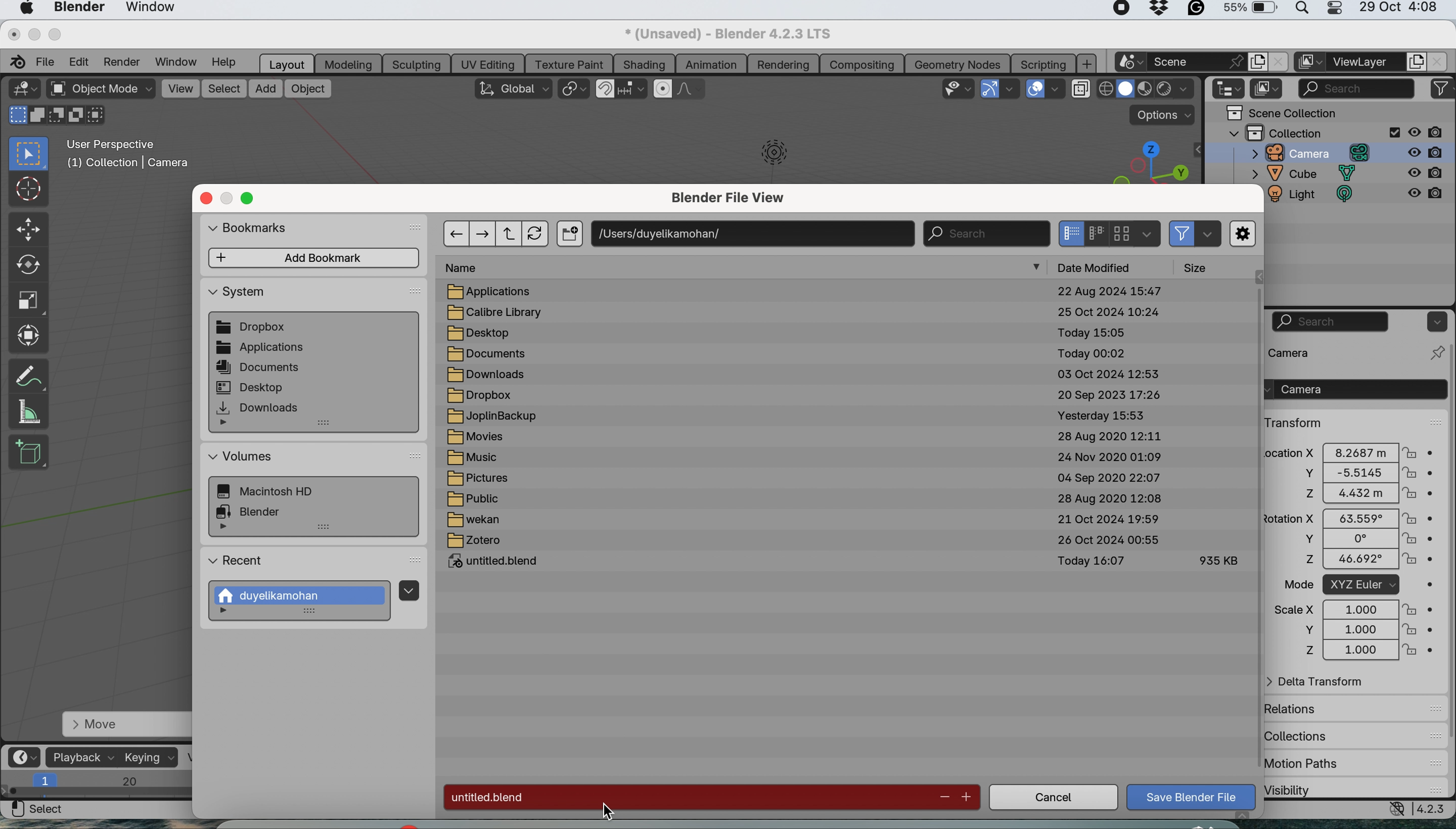  What do you see at coordinates (1201, 268) in the screenshot?
I see `size` at bounding box center [1201, 268].